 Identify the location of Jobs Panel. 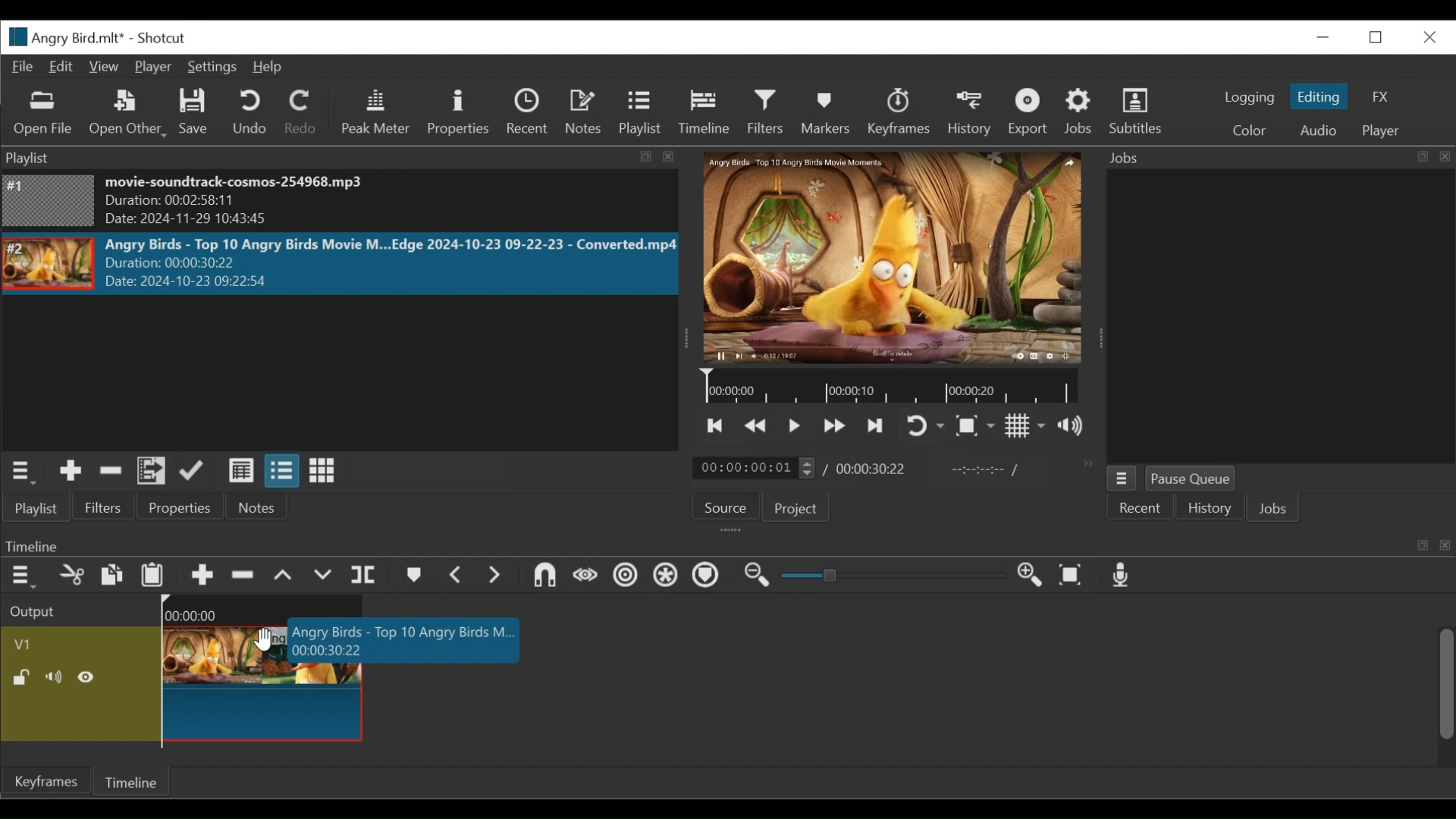
(1265, 317).